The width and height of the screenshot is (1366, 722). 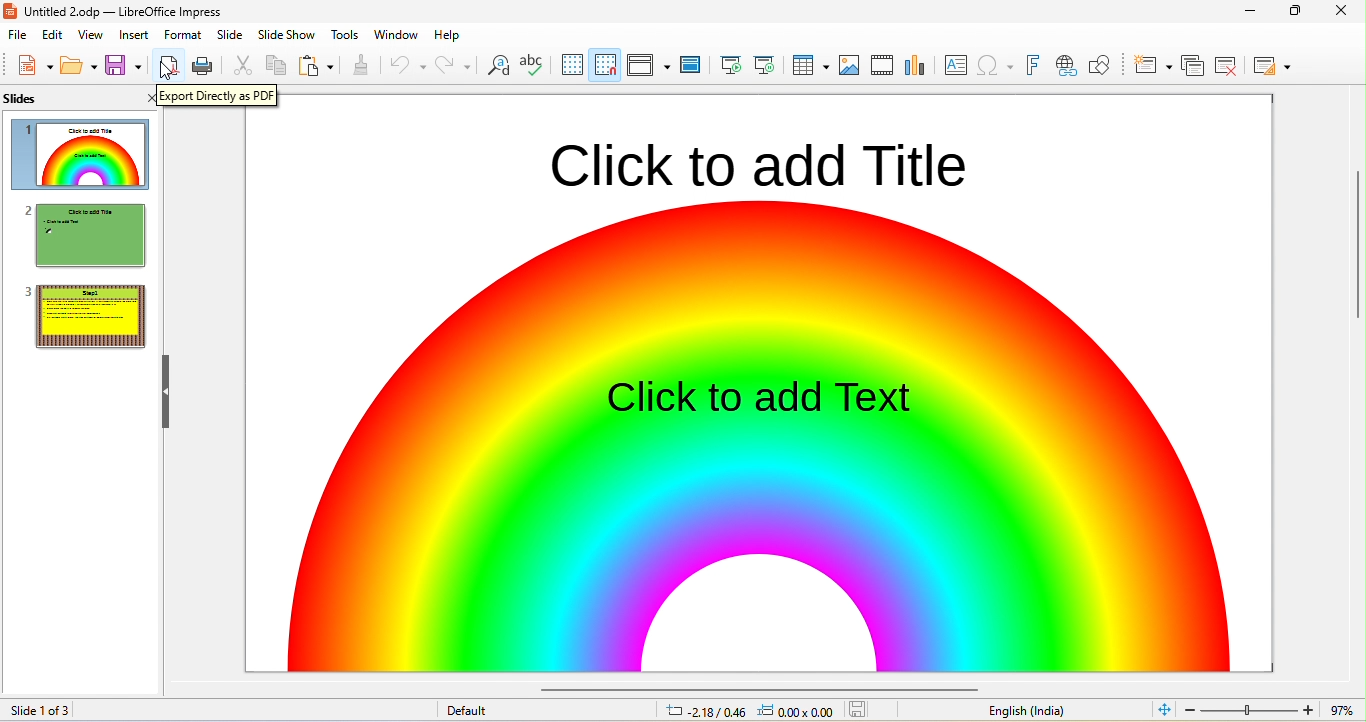 I want to click on print, so click(x=204, y=67).